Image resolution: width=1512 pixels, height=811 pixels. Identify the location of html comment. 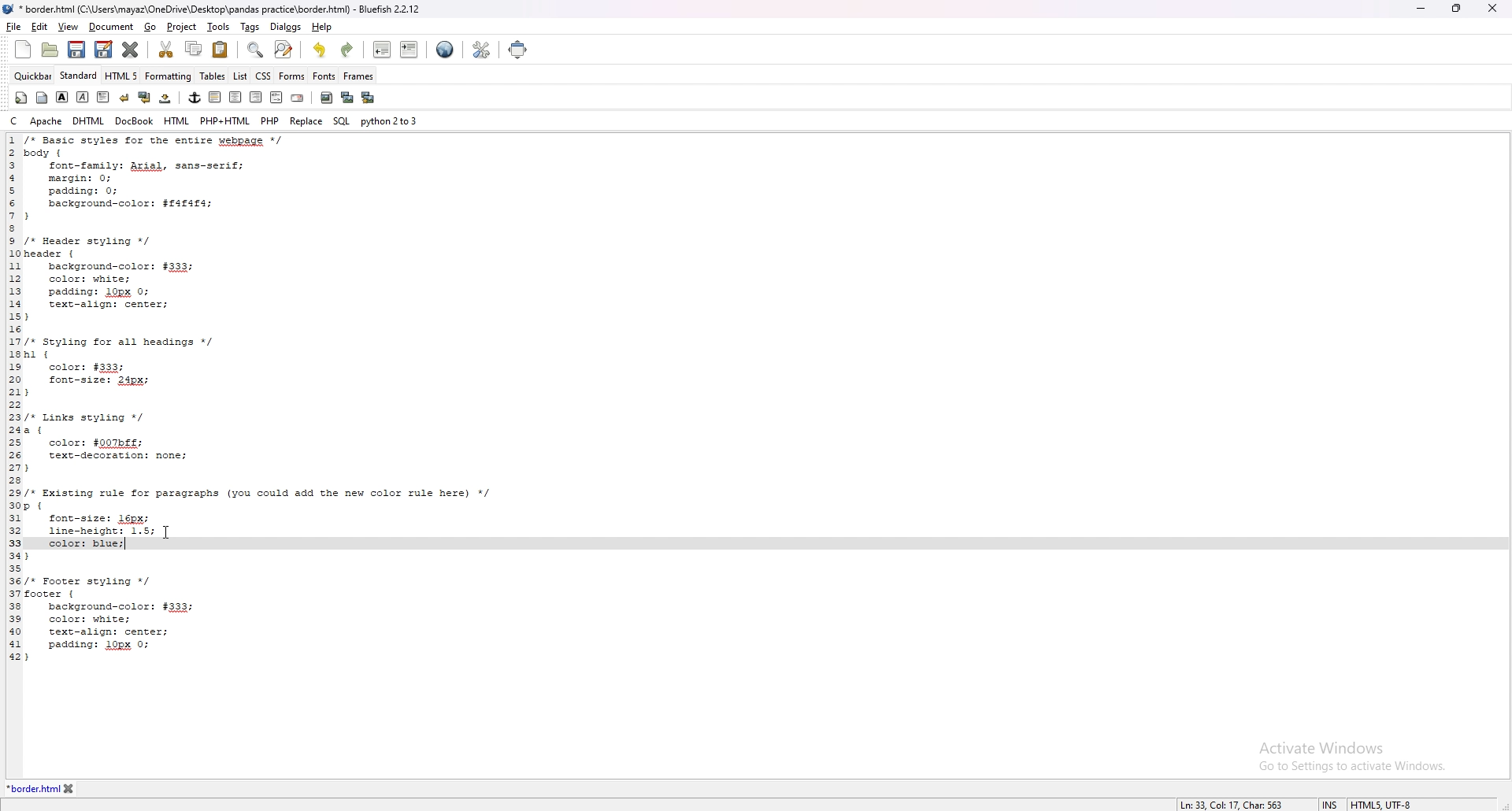
(277, 97).